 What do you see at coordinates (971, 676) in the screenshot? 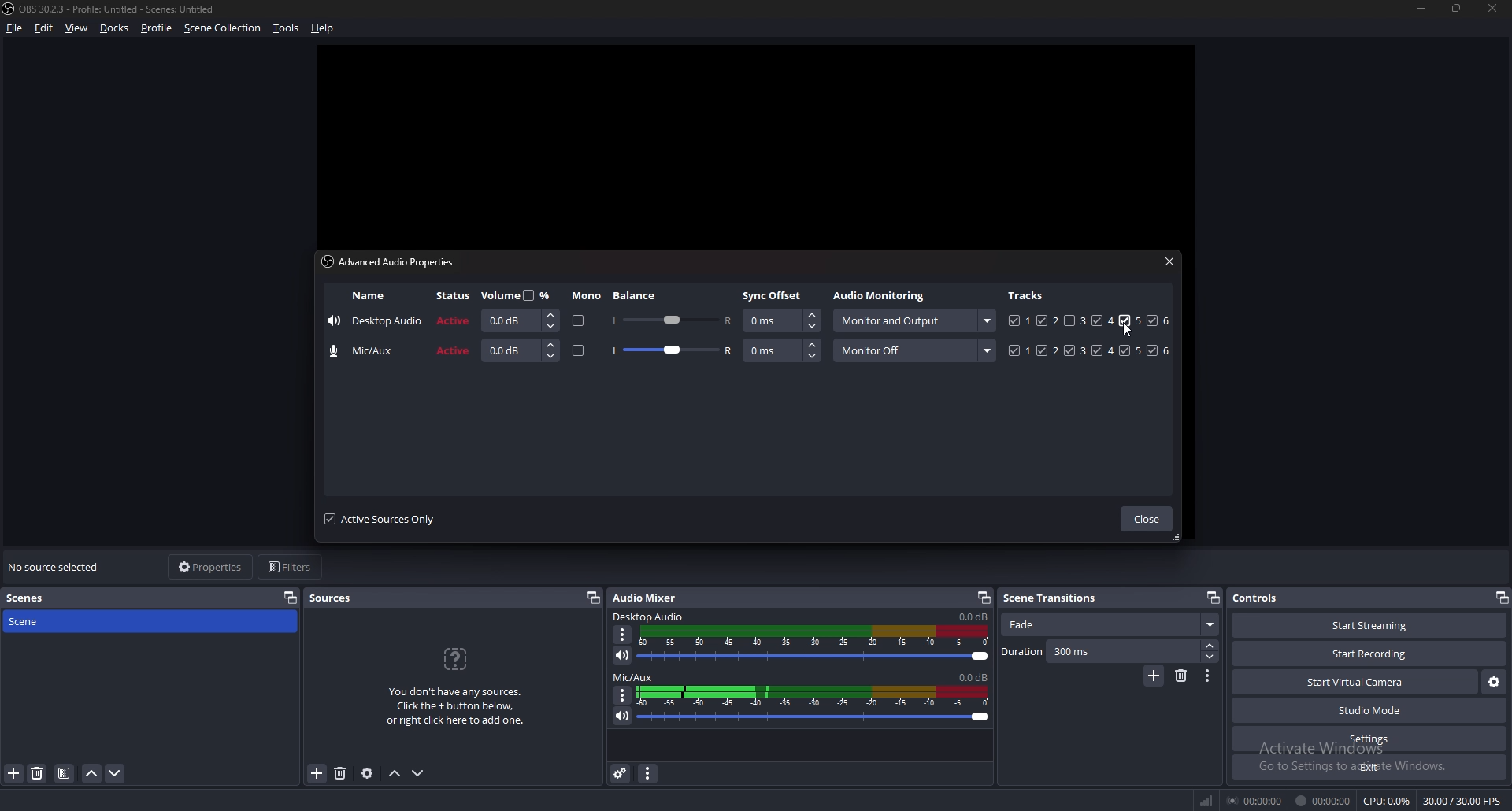
I see `mic/aux sound` at bounding box center [971, 676].